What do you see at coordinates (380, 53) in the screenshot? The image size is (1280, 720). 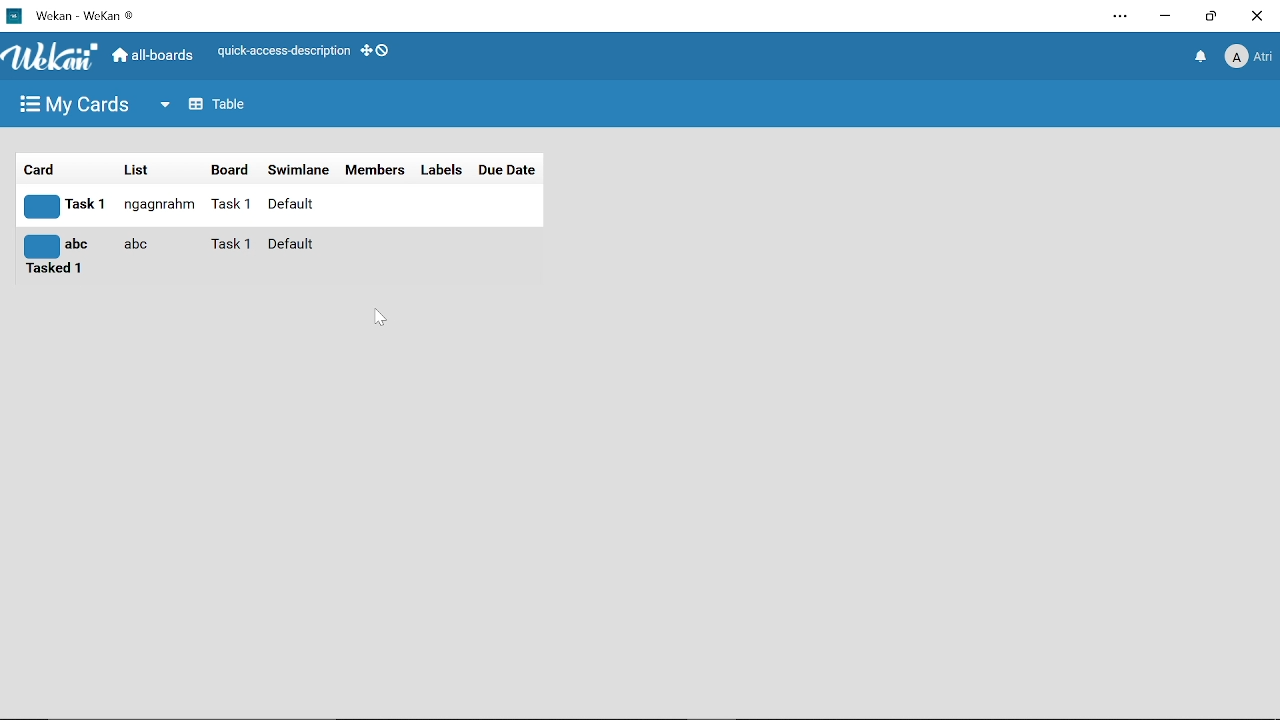 I see `Show desktop drag handles` at bounding box center [380, 53].